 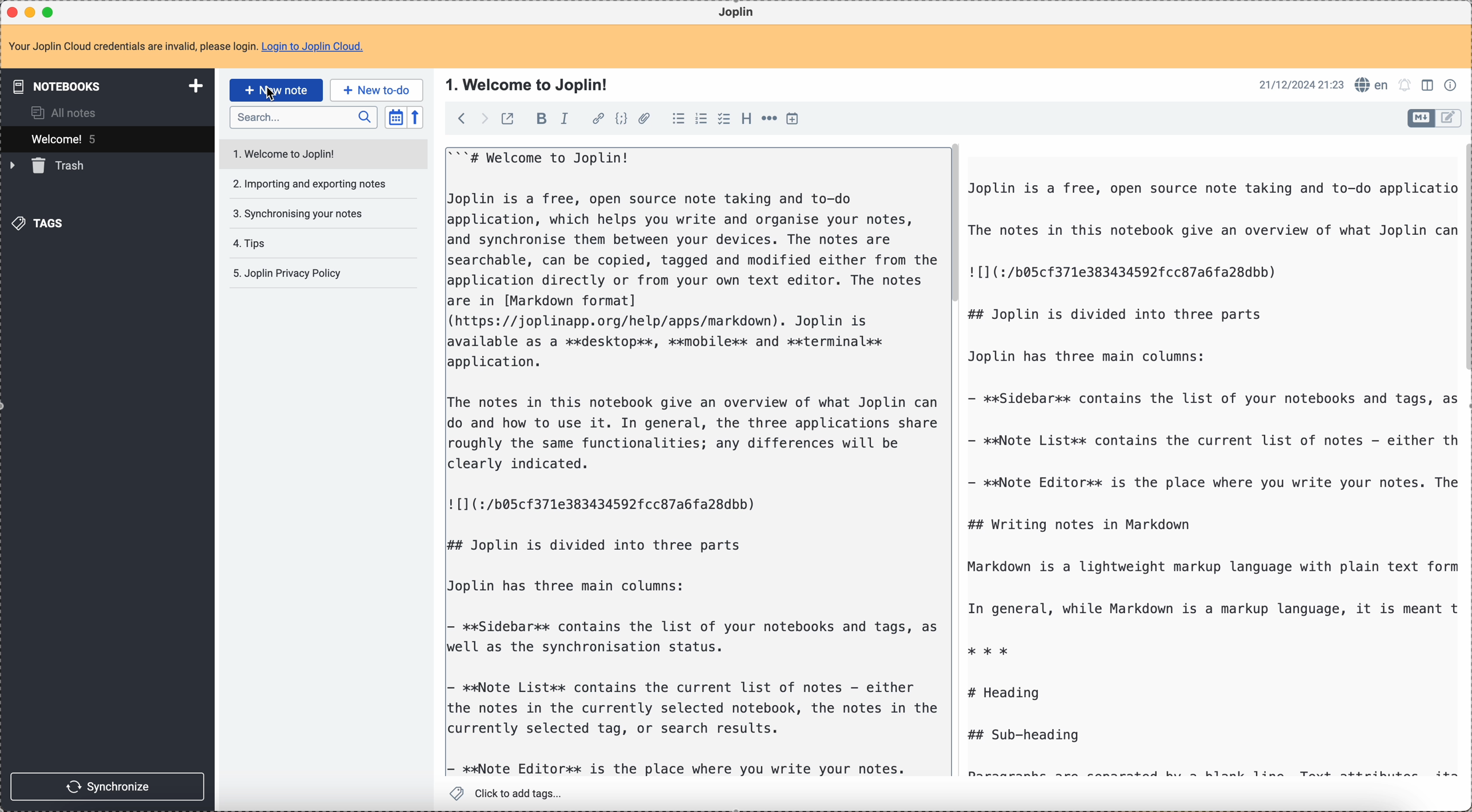 I want to click on synchronising your notes, so click(x=303, y=214).